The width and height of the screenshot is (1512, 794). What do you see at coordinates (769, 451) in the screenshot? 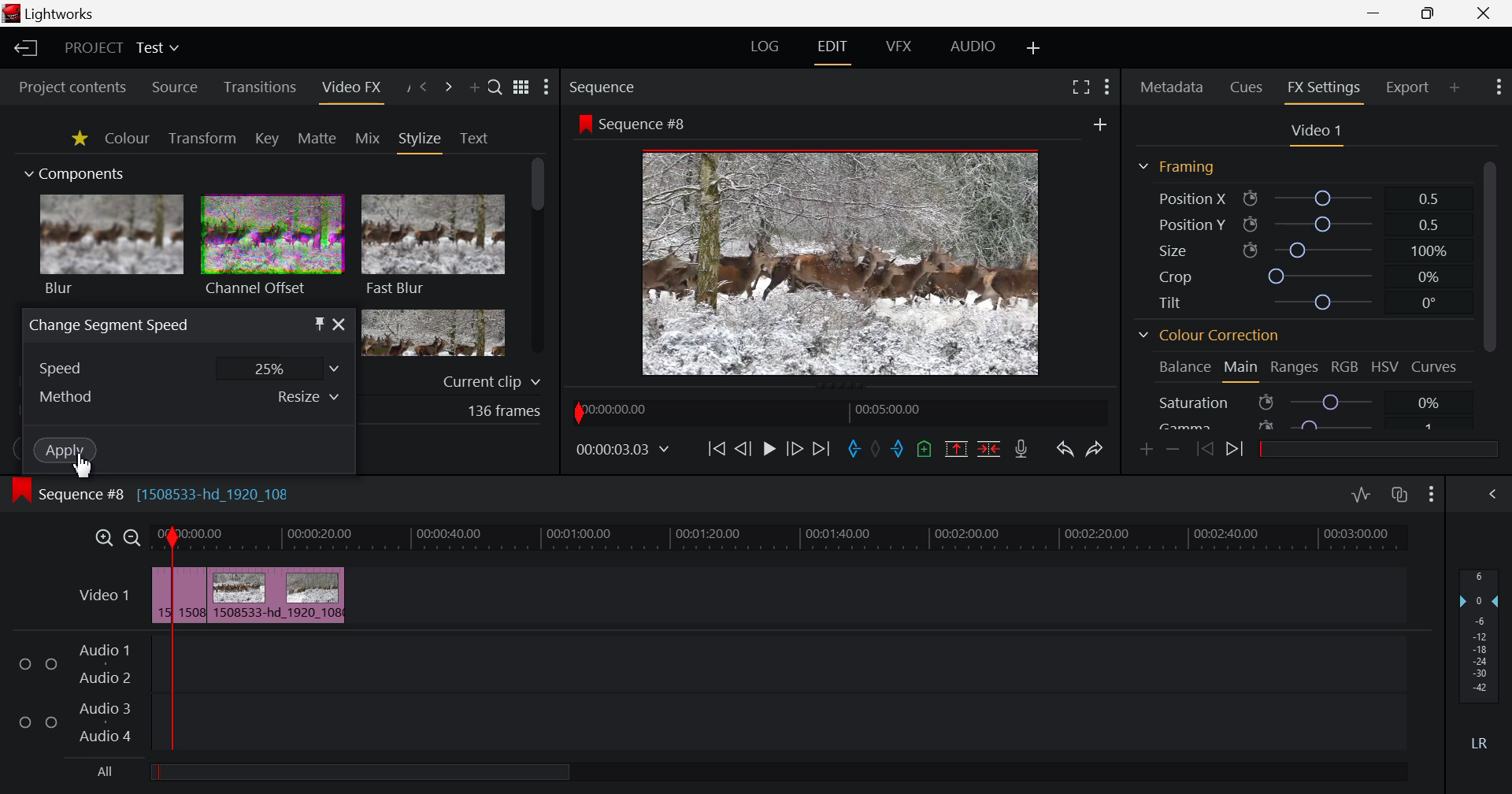
I see `Cursor on Stop Preview` at bounding box center [769, 451].